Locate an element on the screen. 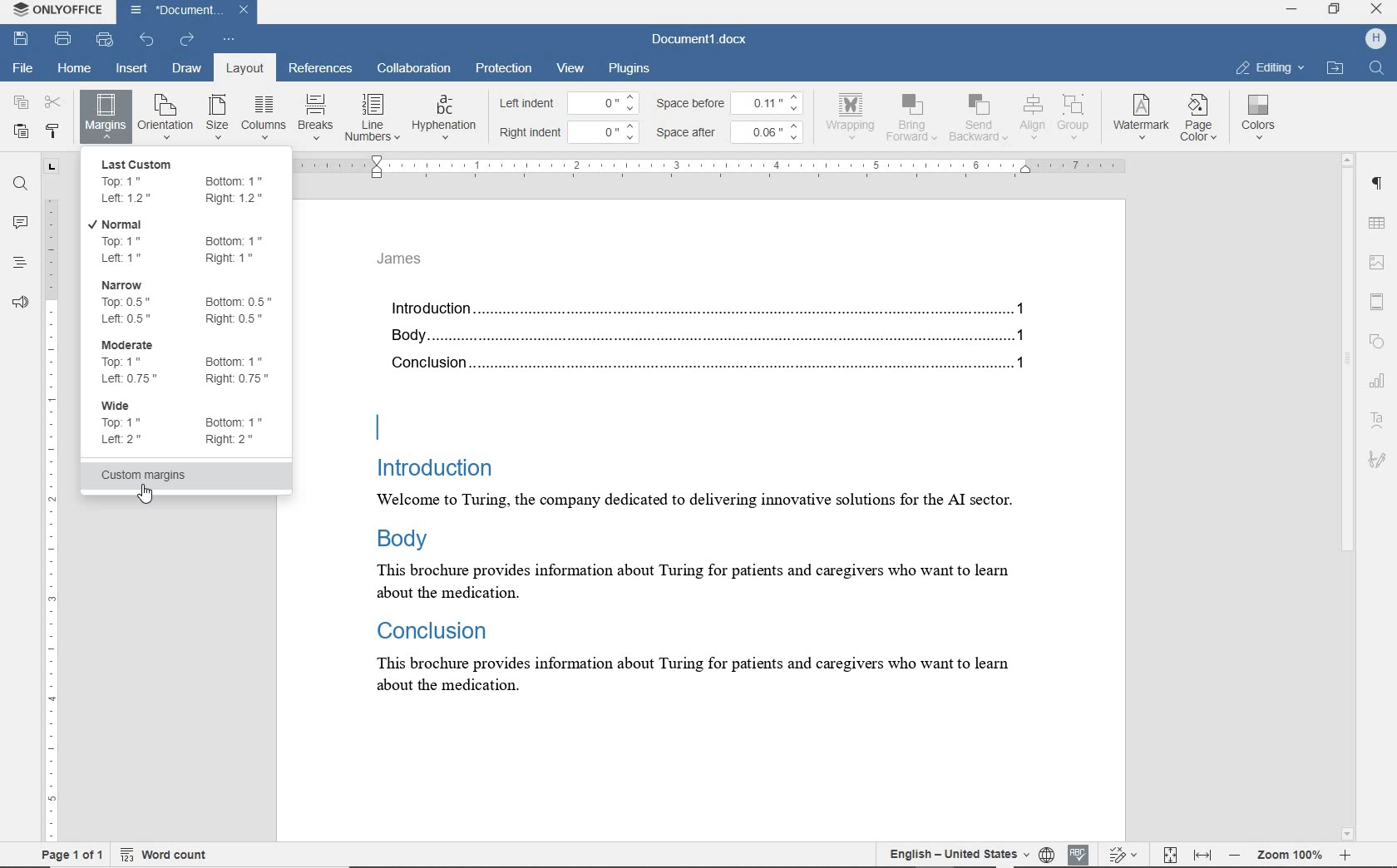 Image resolution: width=1397 pixels, height=868 pixels. 0 is located at coordinates (605, 102).